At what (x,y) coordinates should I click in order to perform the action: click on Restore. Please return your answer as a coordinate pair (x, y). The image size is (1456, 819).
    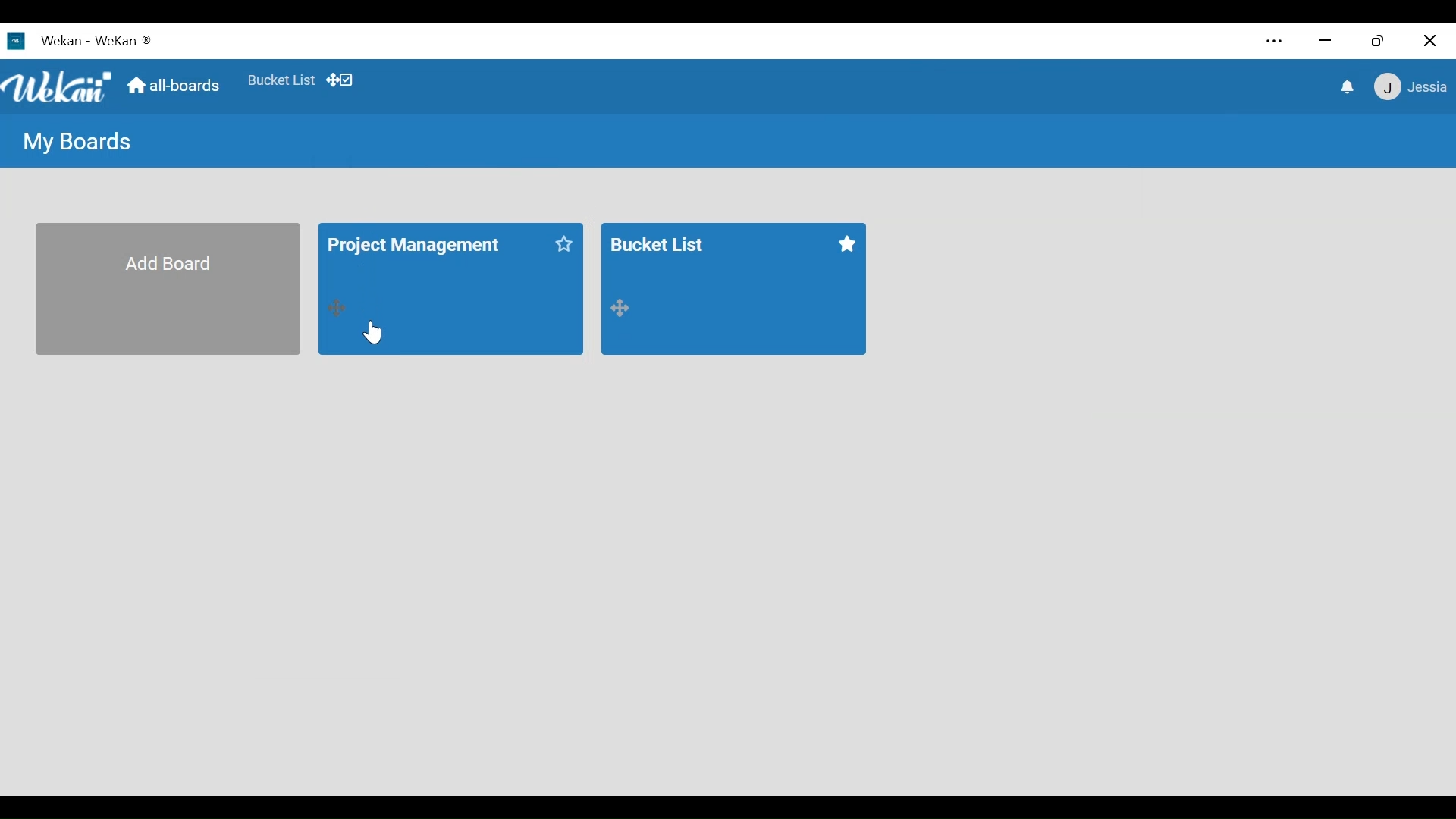
    Looking at the image, I should click on (1375, 41).